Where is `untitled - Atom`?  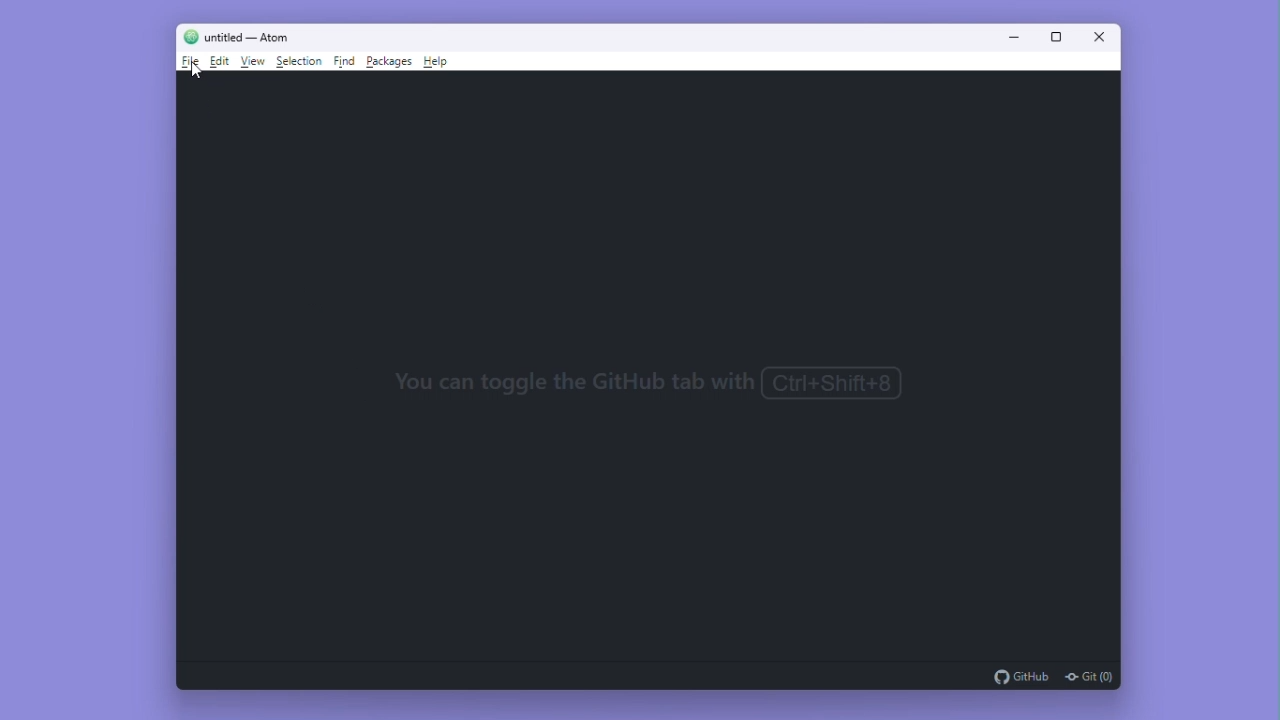 untitled - Atom is located at coordinates (256, 36).